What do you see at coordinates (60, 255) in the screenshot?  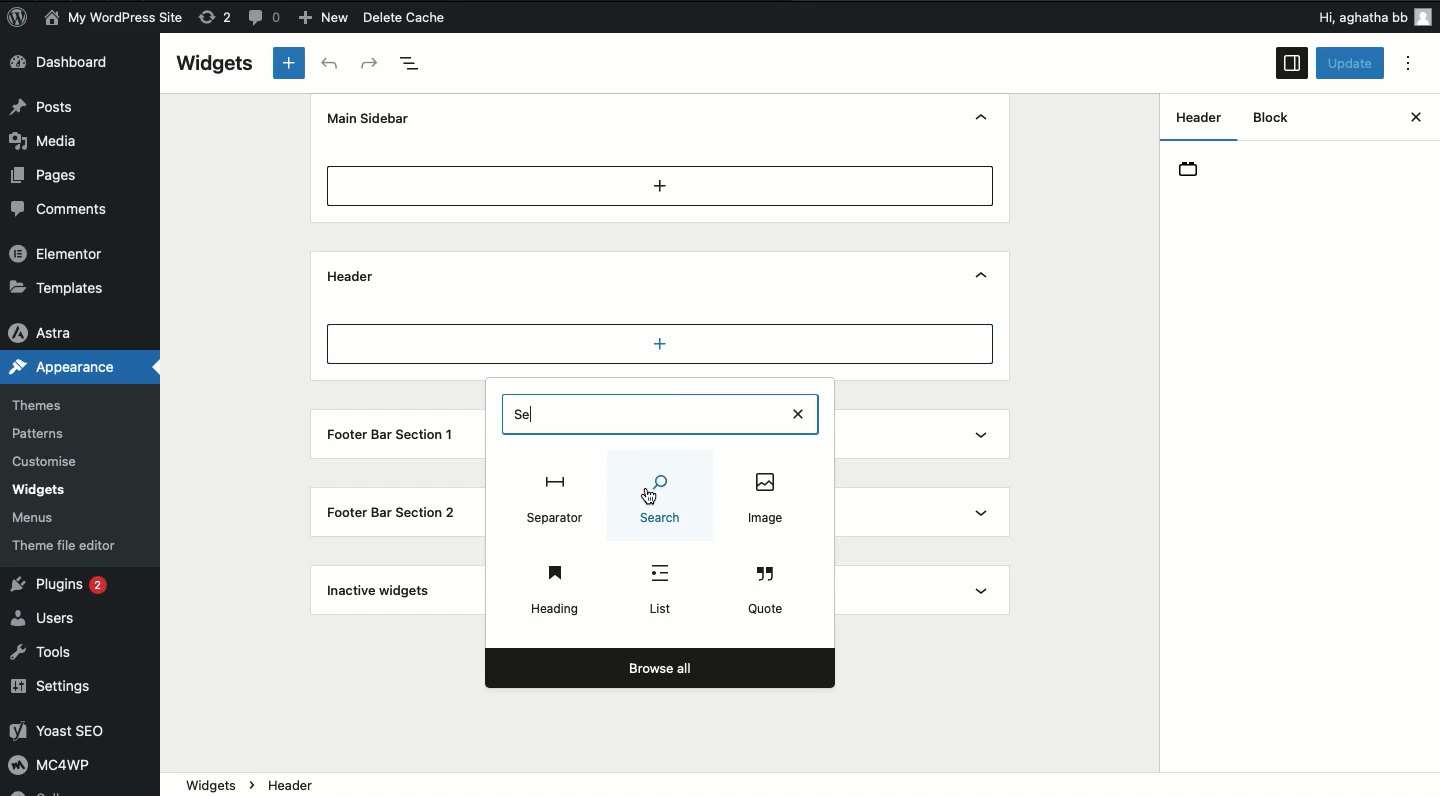 I see `Elementor` at bounding box center [60, 255].